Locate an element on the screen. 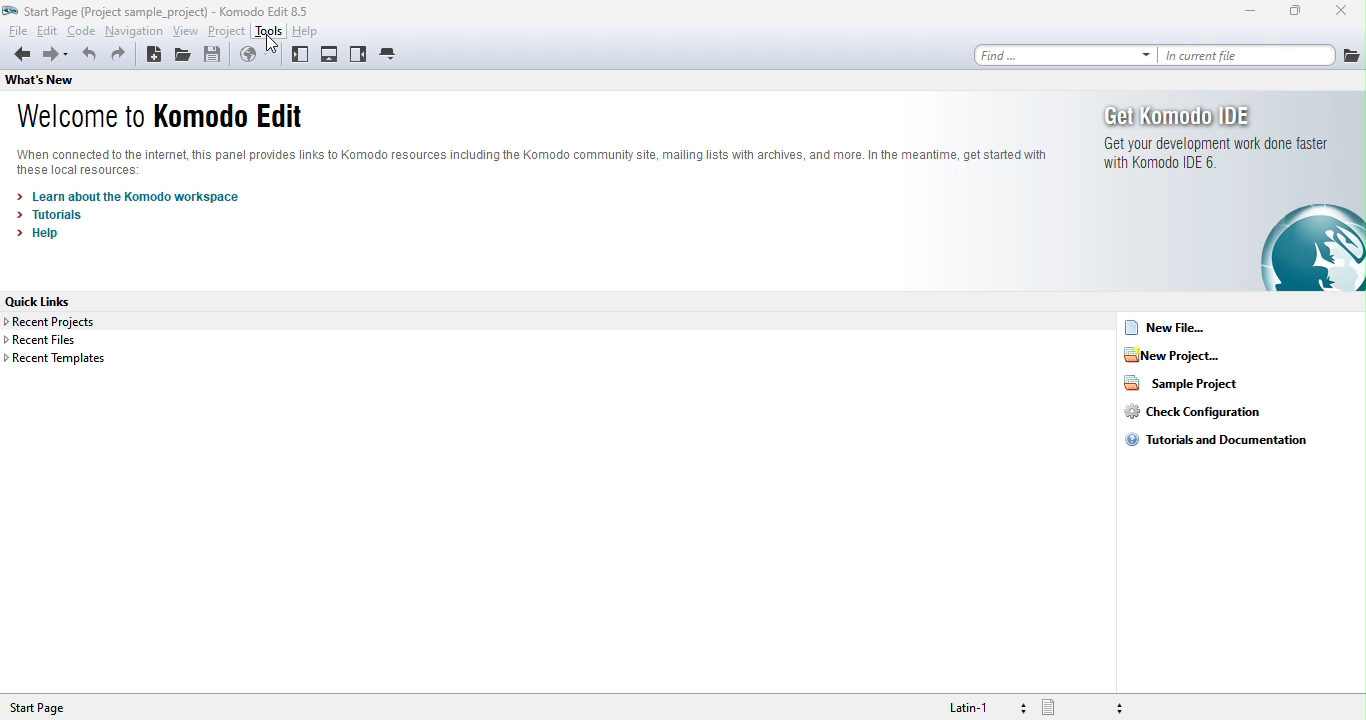 Image resolution: width=1366 pixels, height=720 pixels. recent projects is located at coordinates (59, 322).